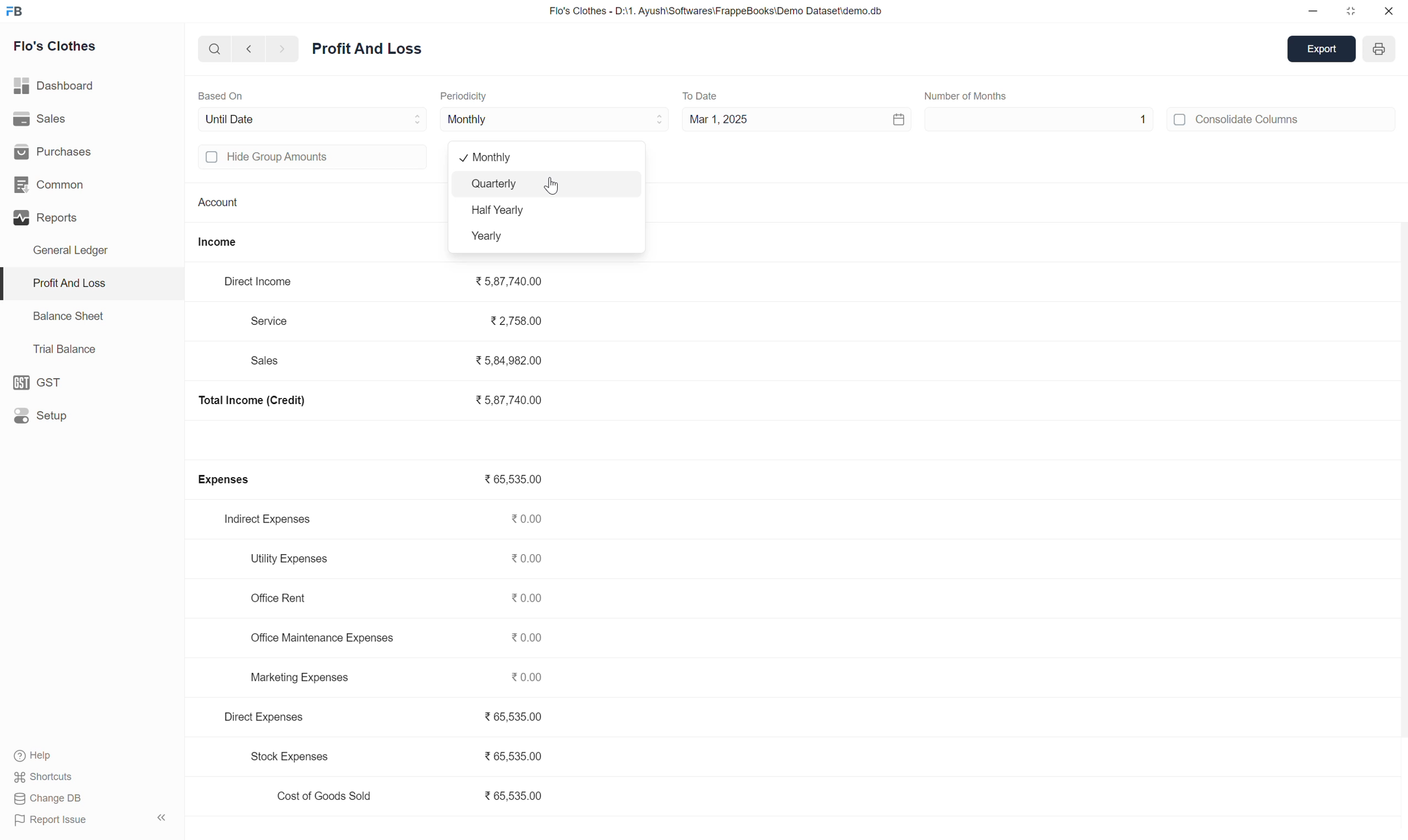  What do you see at coordinates (286, 49) in the screenshot?
I see `next` at bounding box center [286, 49].